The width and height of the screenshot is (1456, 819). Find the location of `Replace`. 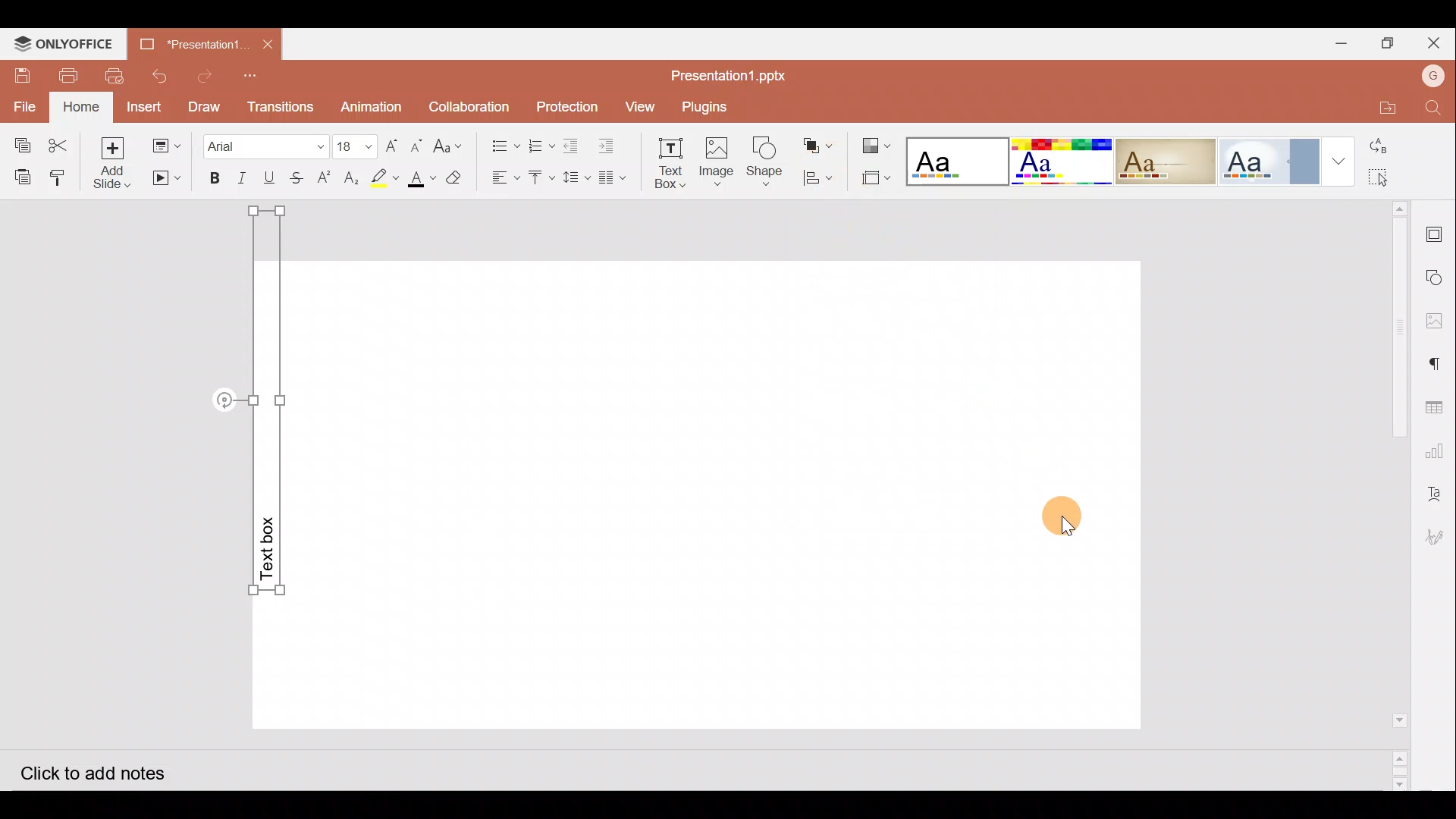

Replace is located at coordinates (1395, 148).